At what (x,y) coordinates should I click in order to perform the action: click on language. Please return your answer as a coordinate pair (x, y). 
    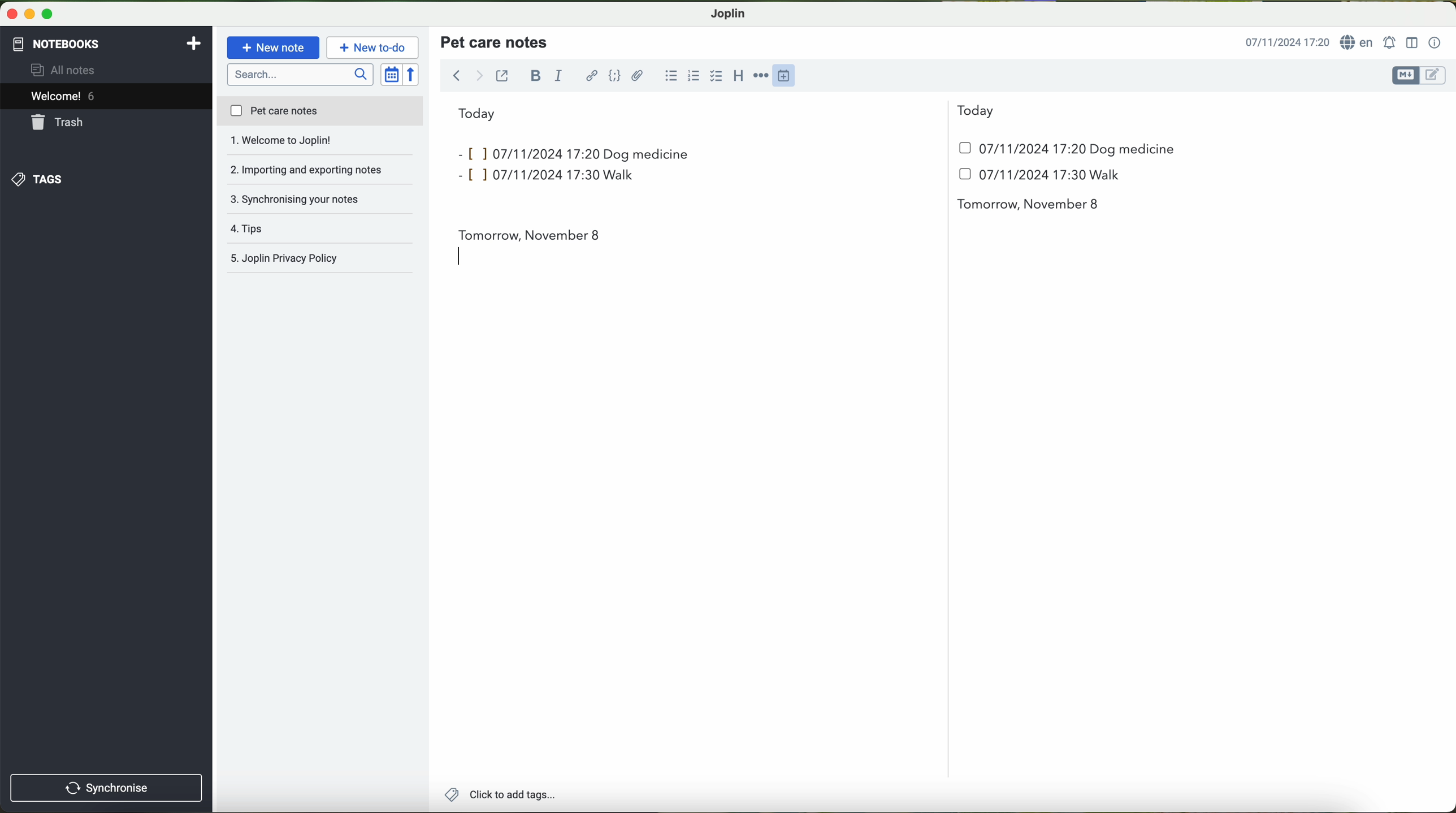
    Looking at the image, I should click on (1359, 43).